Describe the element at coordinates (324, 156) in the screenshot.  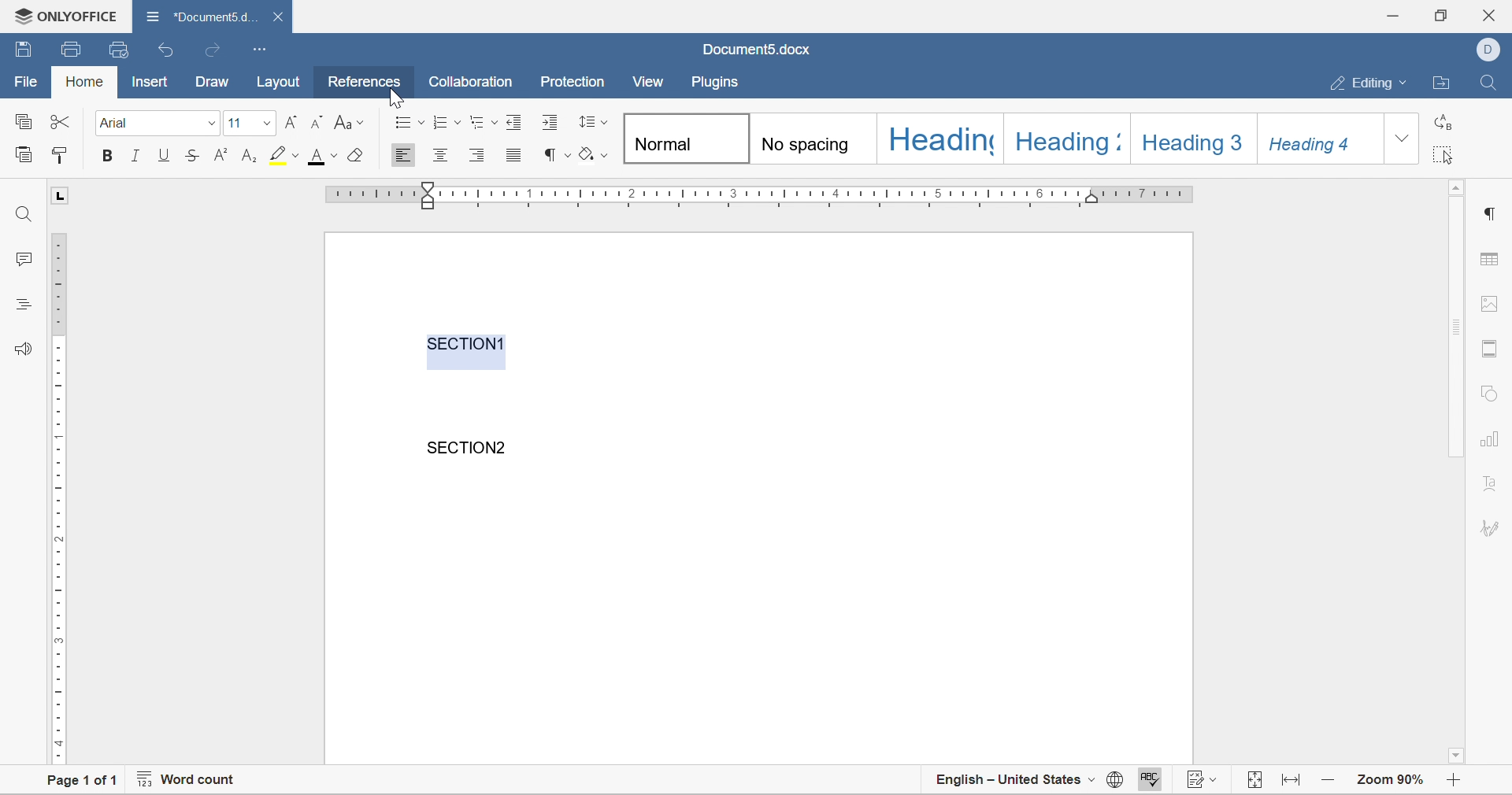
I see `font color` at that location.